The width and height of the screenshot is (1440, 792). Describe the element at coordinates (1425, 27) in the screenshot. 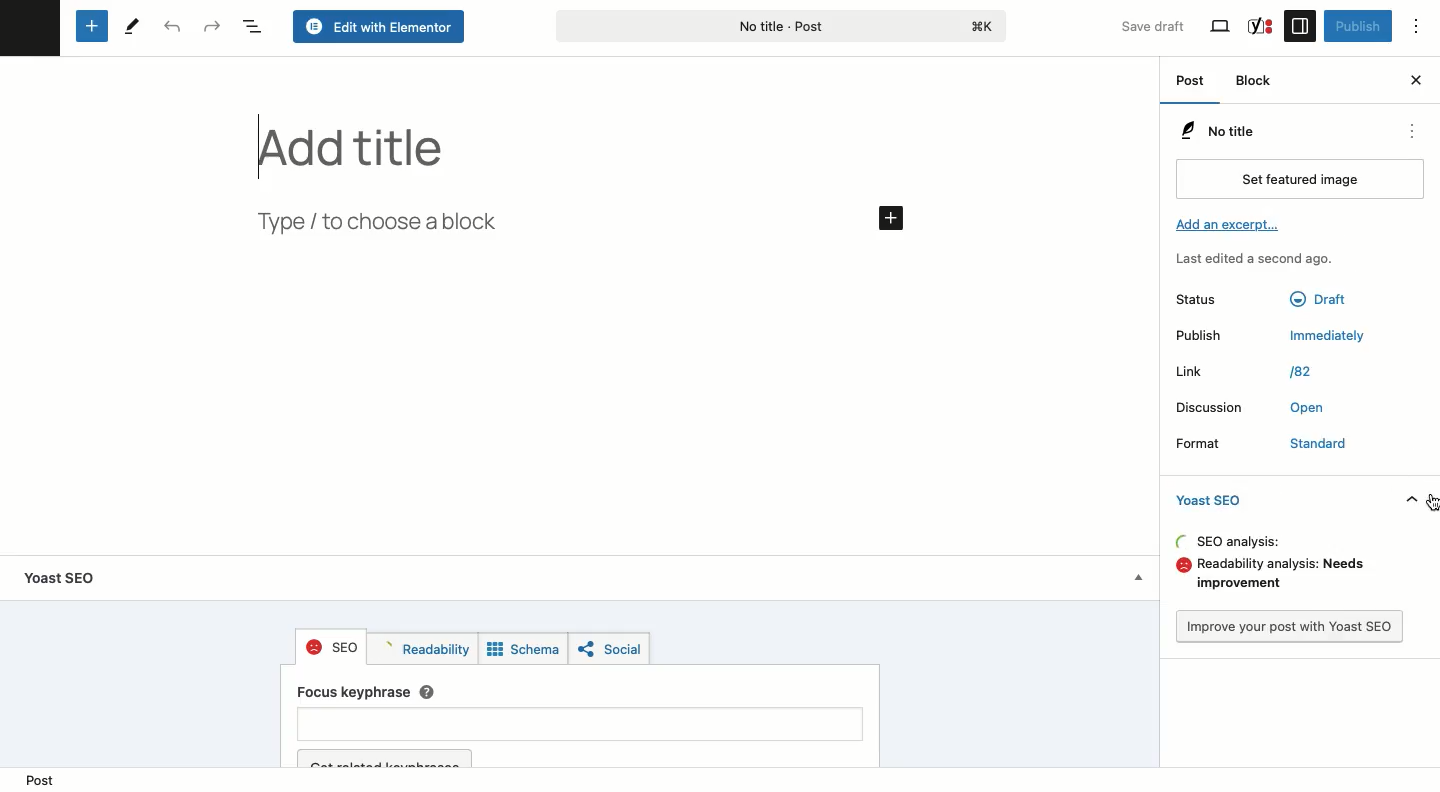

I see `Options` at that location.